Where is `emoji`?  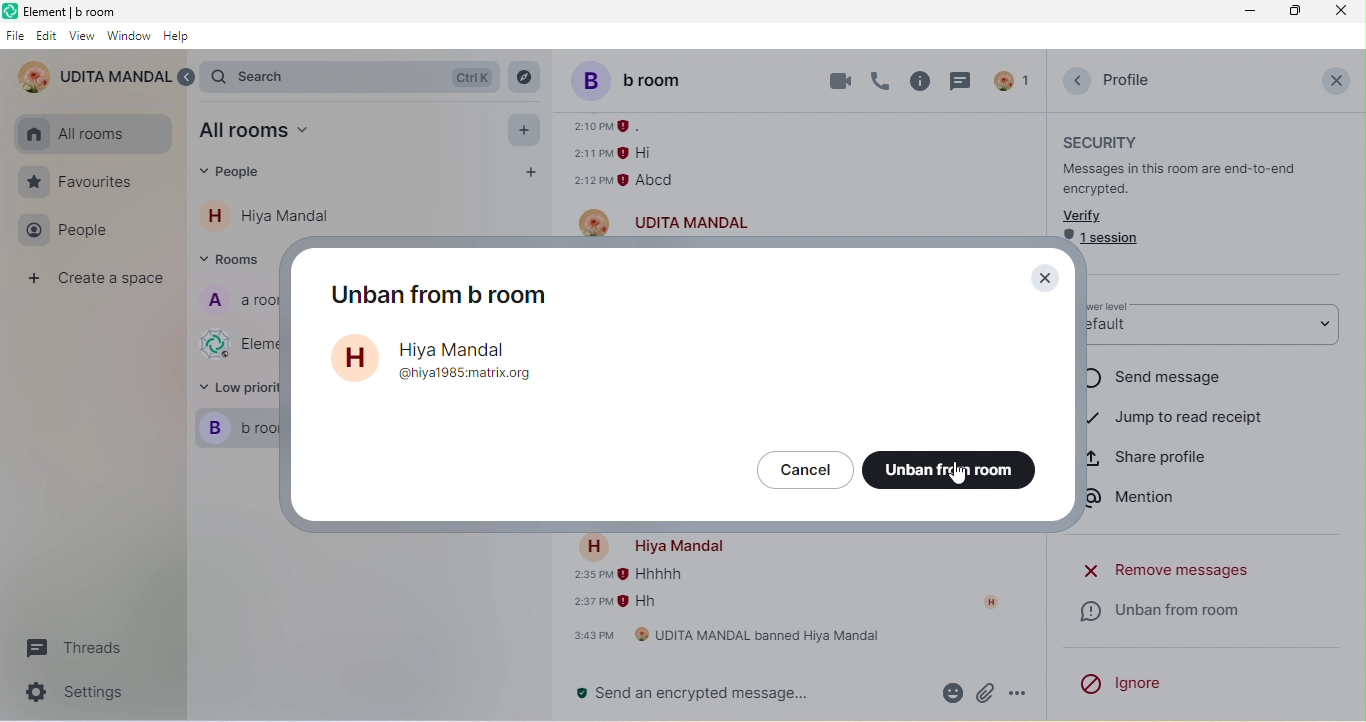
emoji is located at coordinates (949, 692).